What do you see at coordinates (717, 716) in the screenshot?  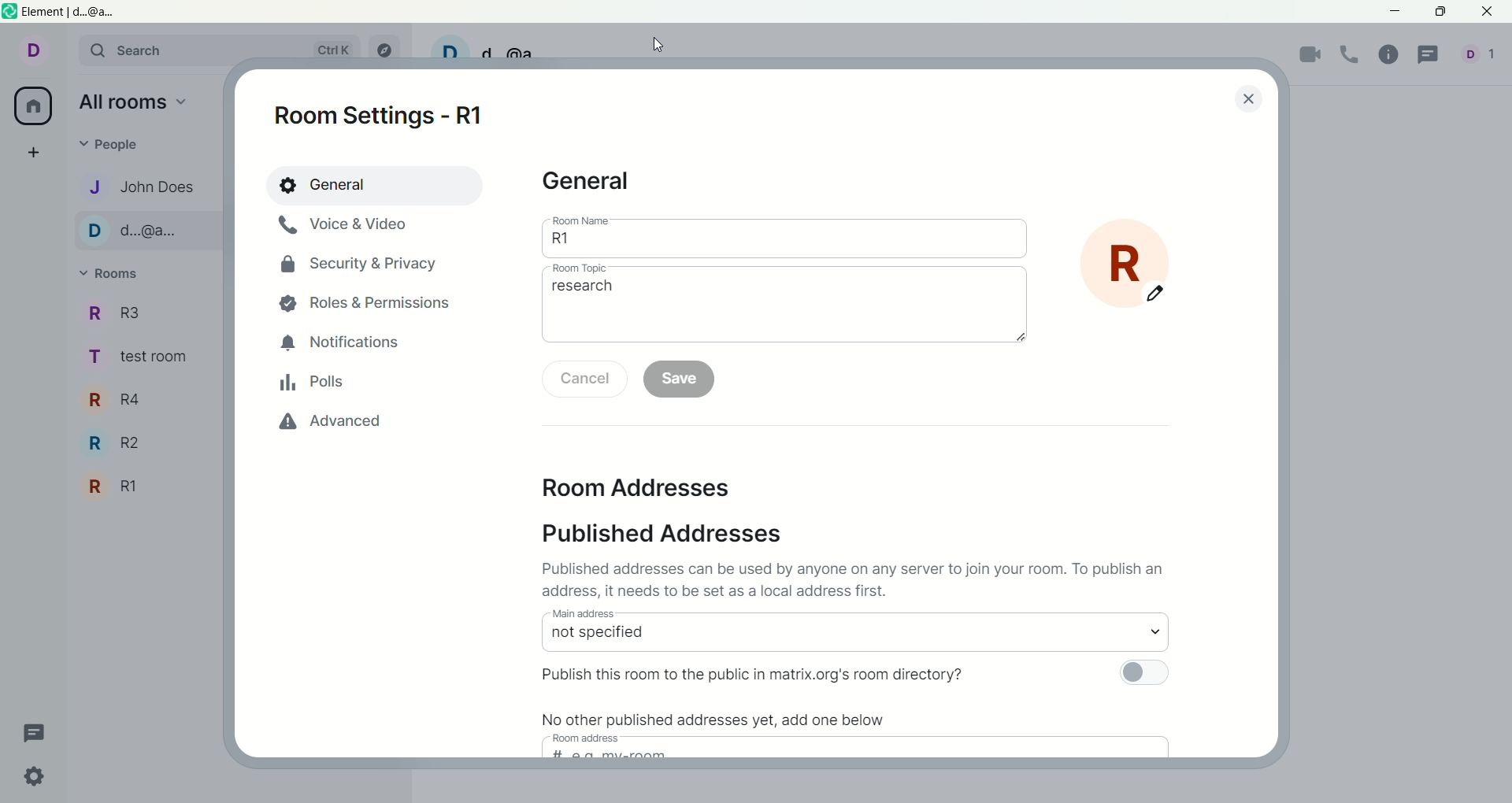 I see `no other published addresses yet,add one below` at bounding box center [717, 716].